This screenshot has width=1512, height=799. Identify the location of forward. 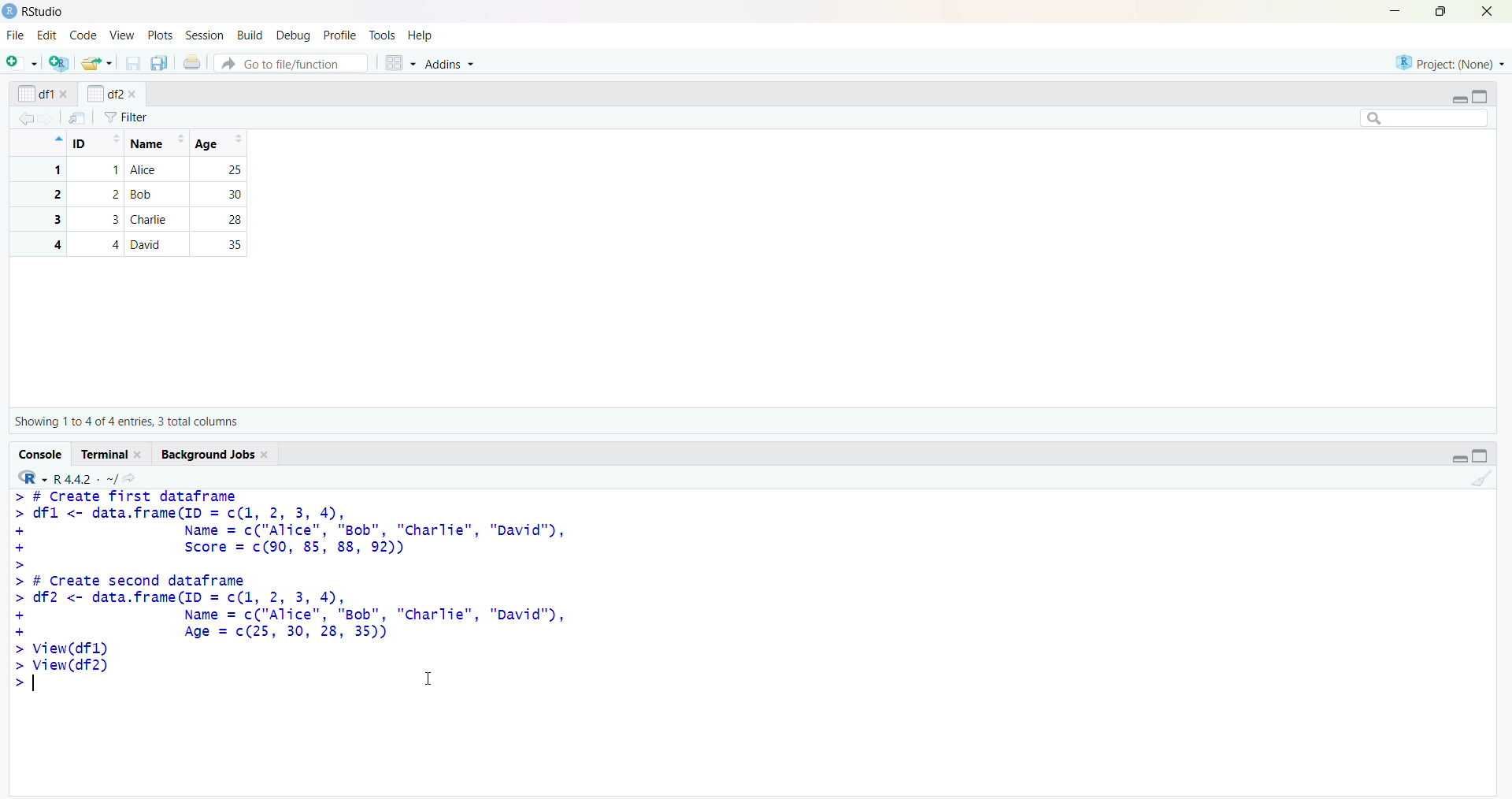
(47, 119).